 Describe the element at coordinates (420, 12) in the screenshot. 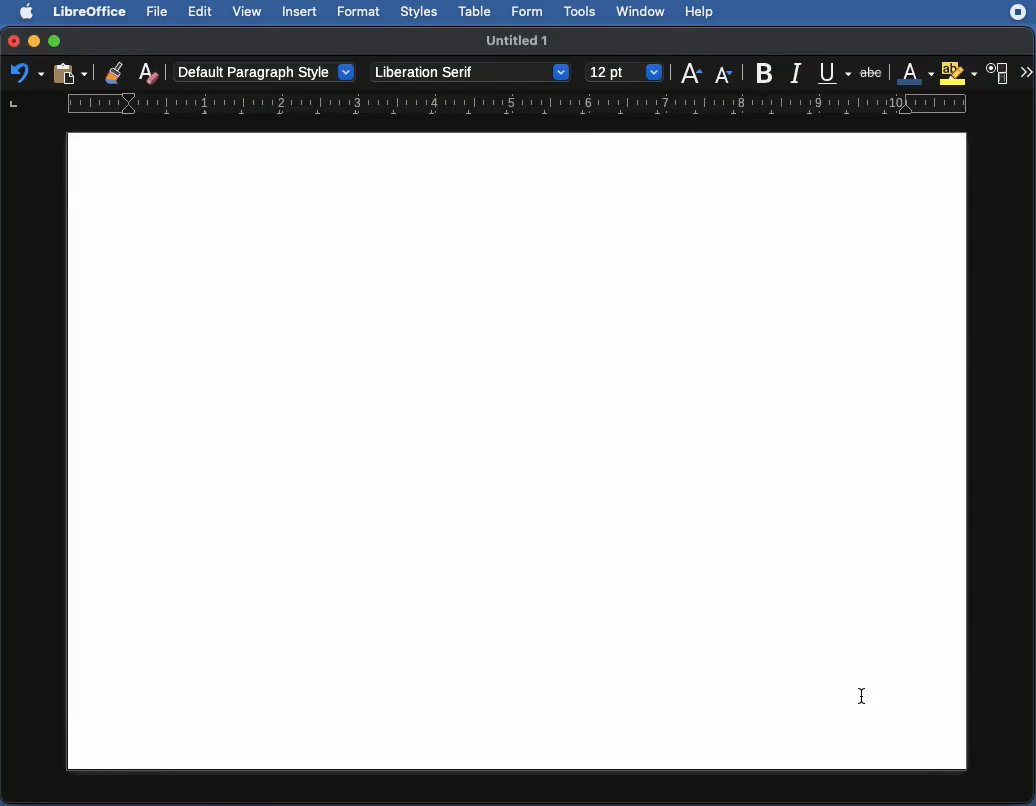

I see `Styles` at that location.